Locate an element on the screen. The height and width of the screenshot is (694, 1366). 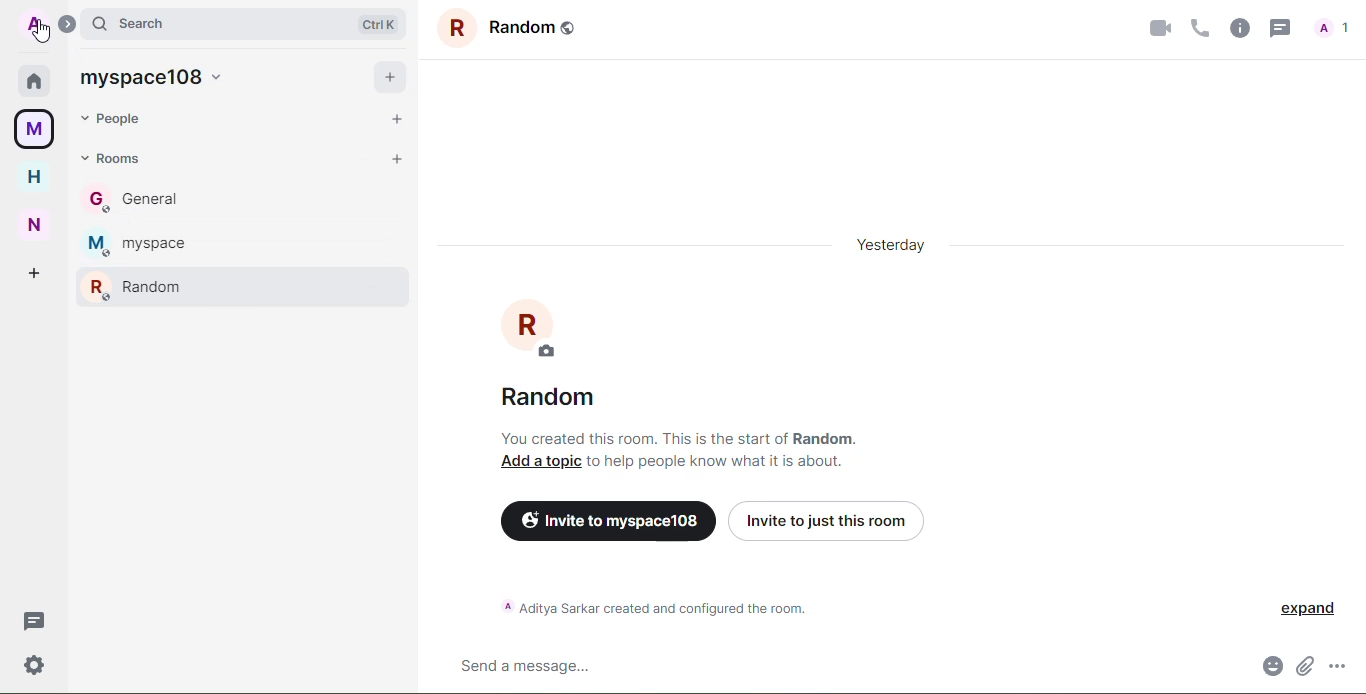
profile pic is located at coordinates (536, 329).